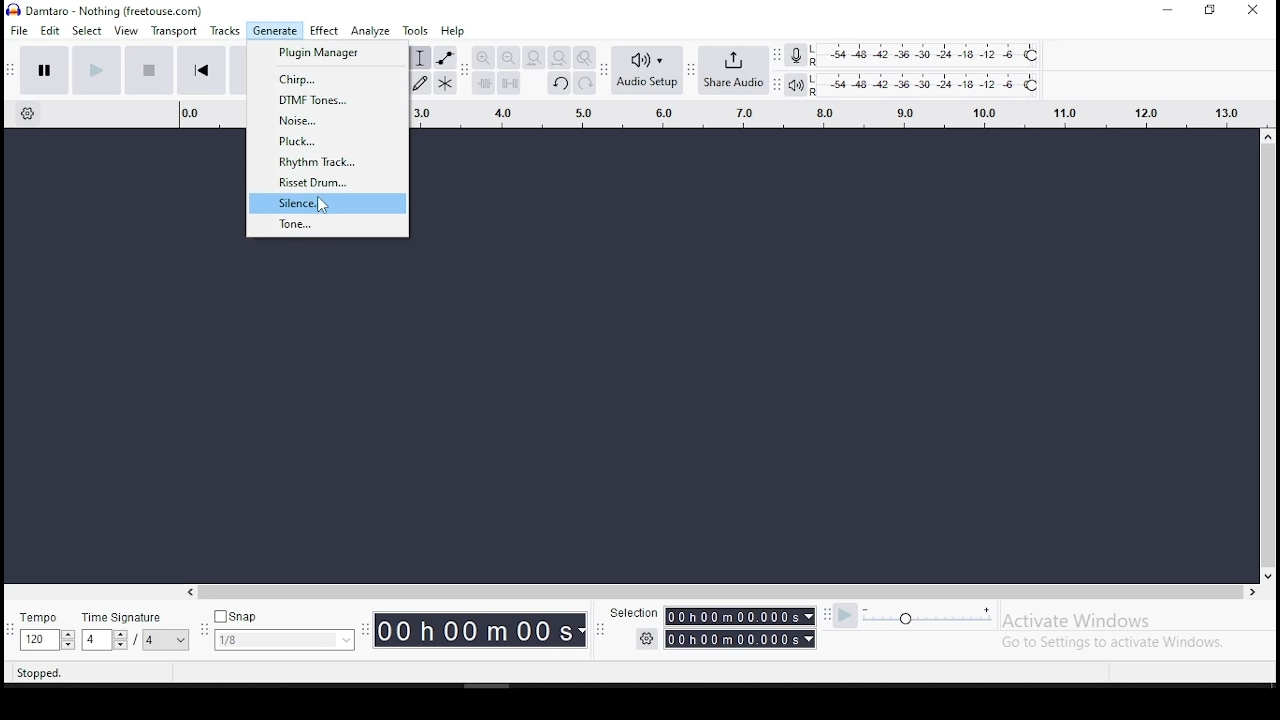 This screenshot has width=1280, height=720. Describe the element at coordinates (421, 57) in the screenshot. I see `selection tool` at that location.